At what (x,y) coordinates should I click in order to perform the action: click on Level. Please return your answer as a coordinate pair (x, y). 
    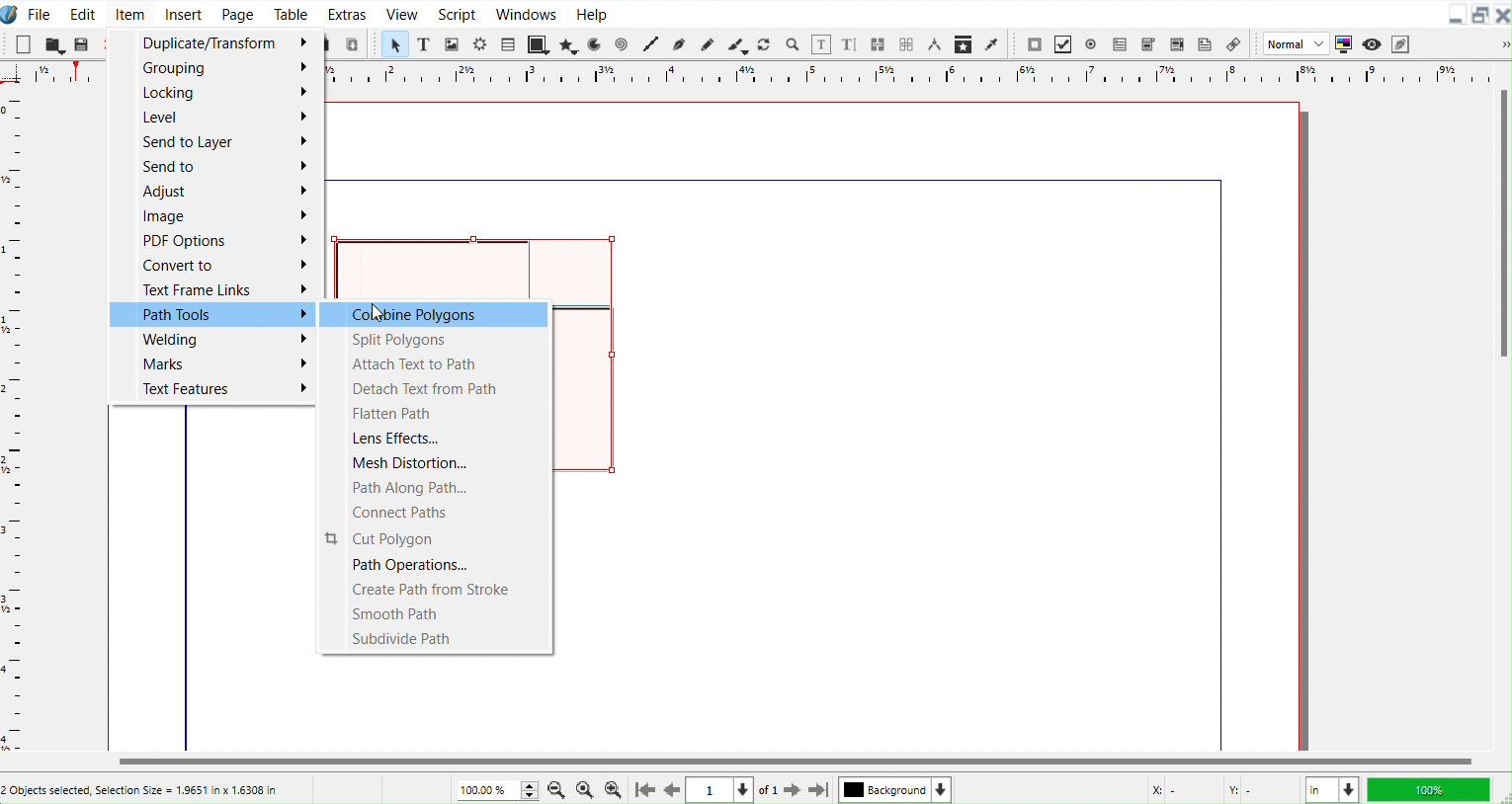
    Looking at the image, I should click on (214, 117).